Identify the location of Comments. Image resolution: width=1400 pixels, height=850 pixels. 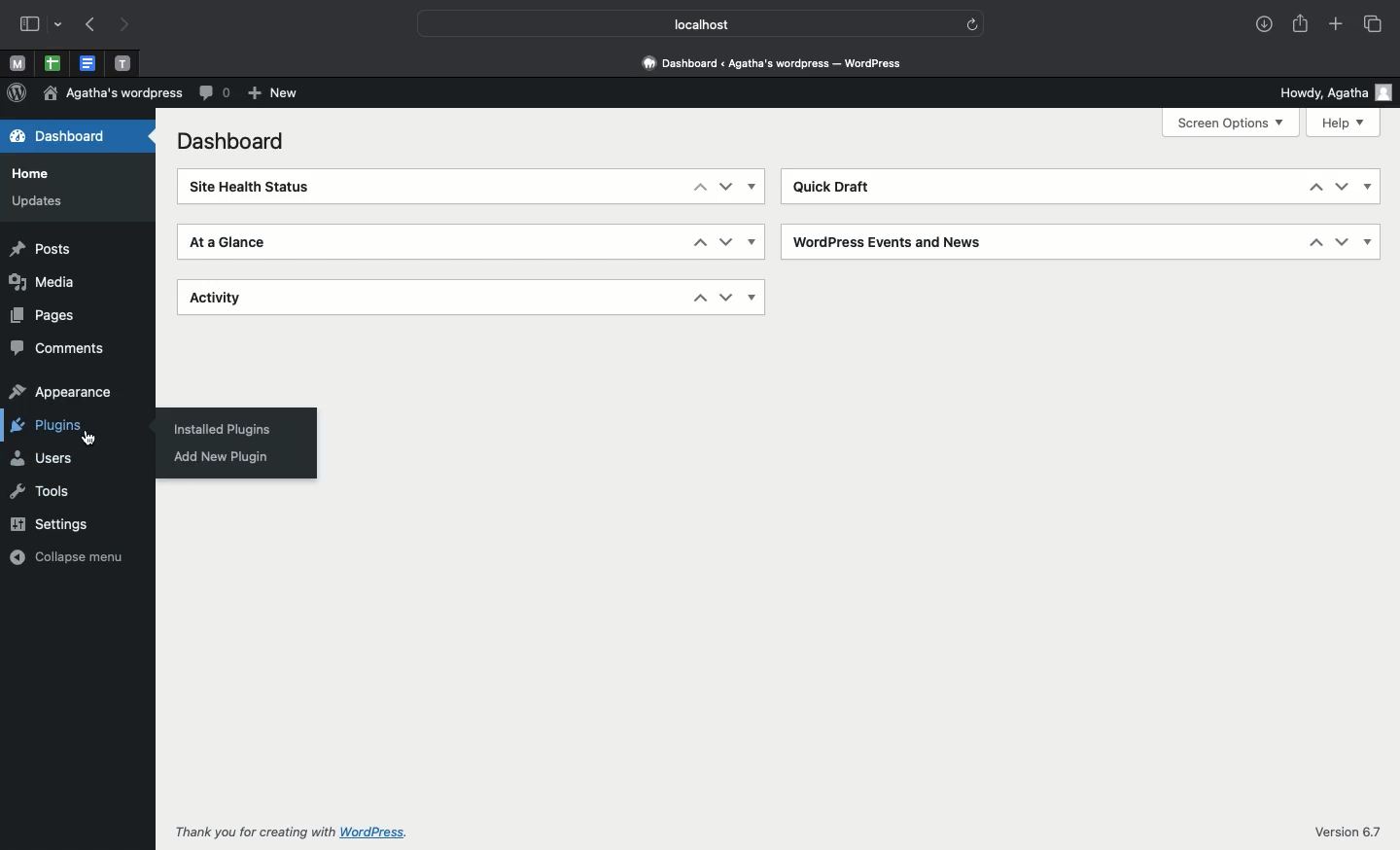
(64, 347).